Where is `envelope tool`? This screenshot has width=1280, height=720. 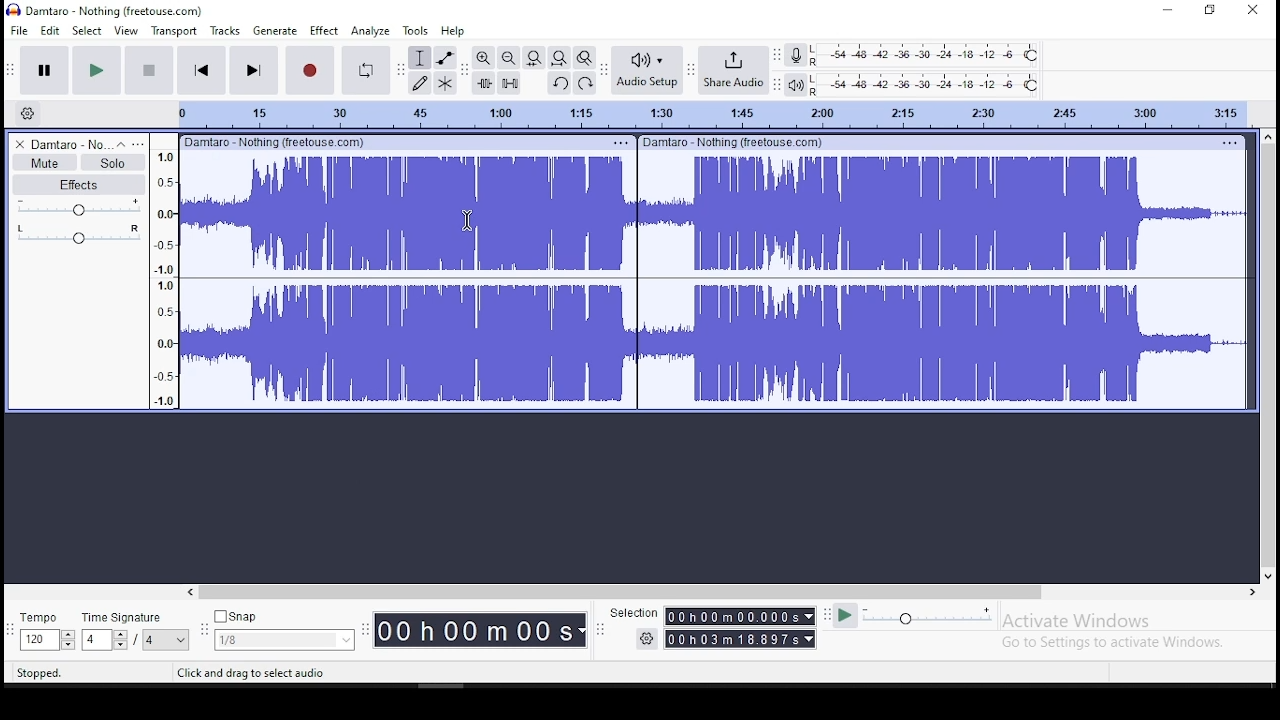
envelope tool is located at coordinates (445, 58).